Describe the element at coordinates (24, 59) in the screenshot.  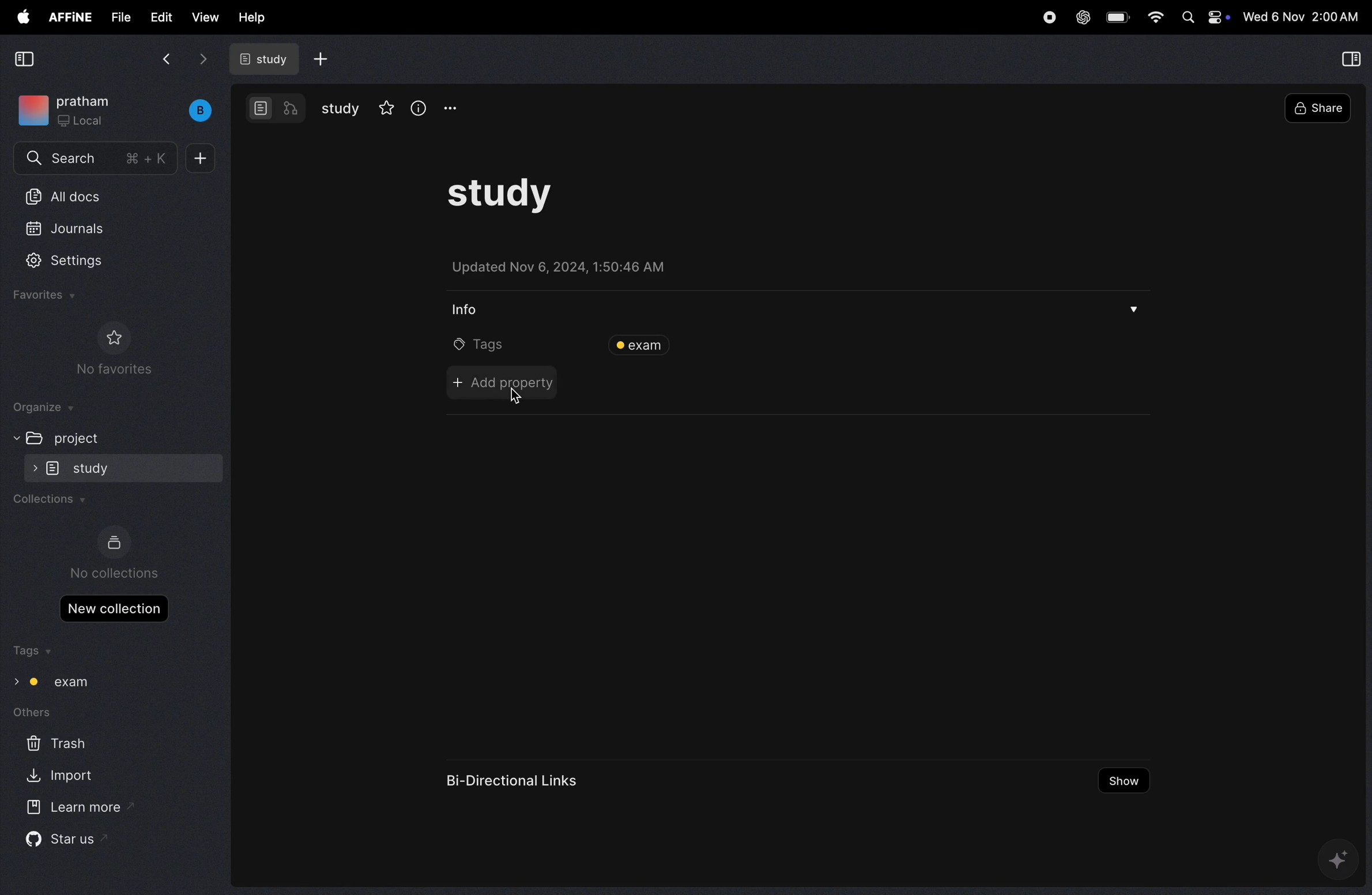
I see `collapse view` at that location.